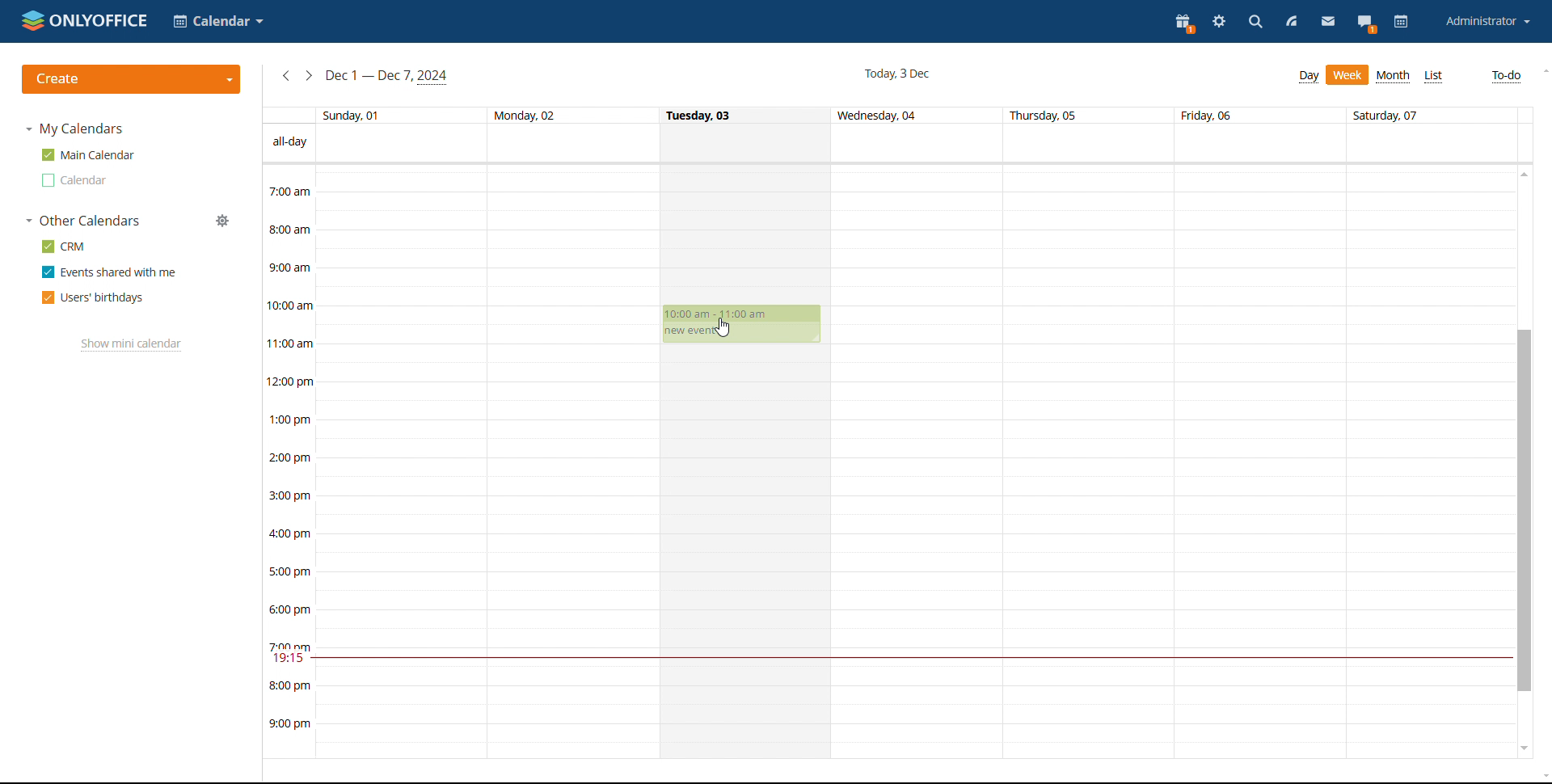  I want to click on 3:00 pm, so click(293, 495).